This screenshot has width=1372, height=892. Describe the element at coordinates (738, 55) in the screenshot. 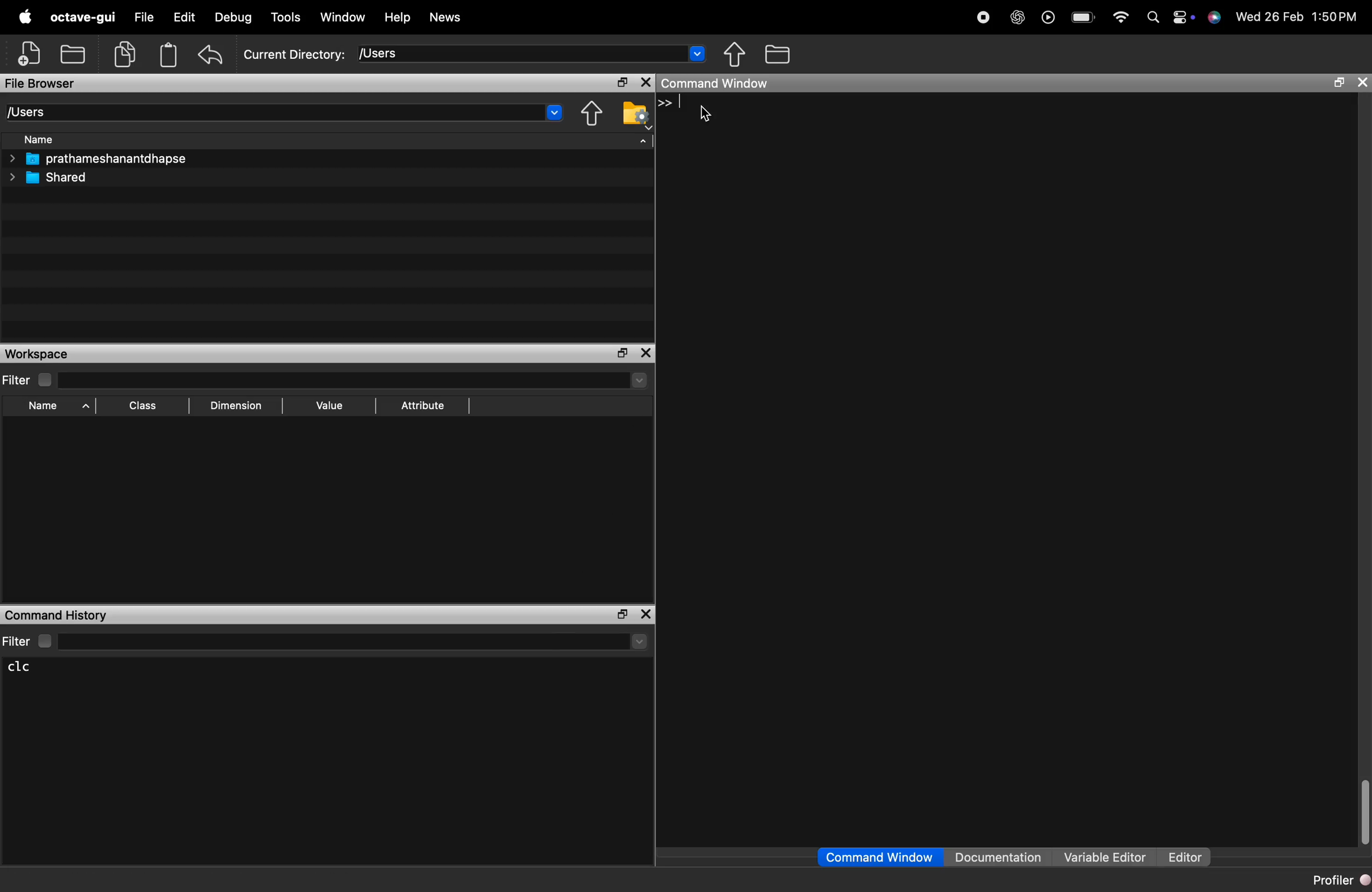

I see `one directory up` at that location.